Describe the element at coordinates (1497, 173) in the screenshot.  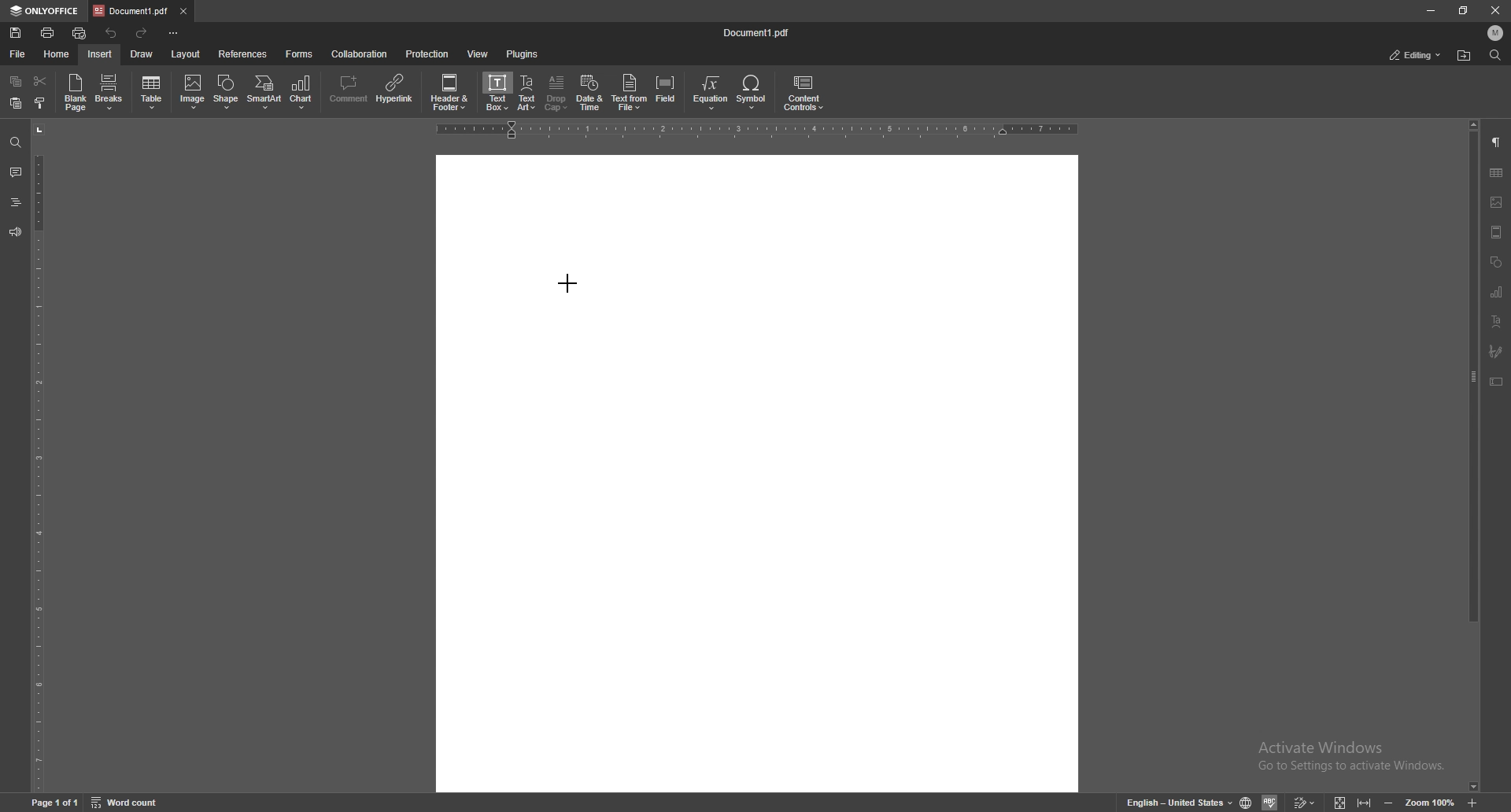
I see `table` at that location.